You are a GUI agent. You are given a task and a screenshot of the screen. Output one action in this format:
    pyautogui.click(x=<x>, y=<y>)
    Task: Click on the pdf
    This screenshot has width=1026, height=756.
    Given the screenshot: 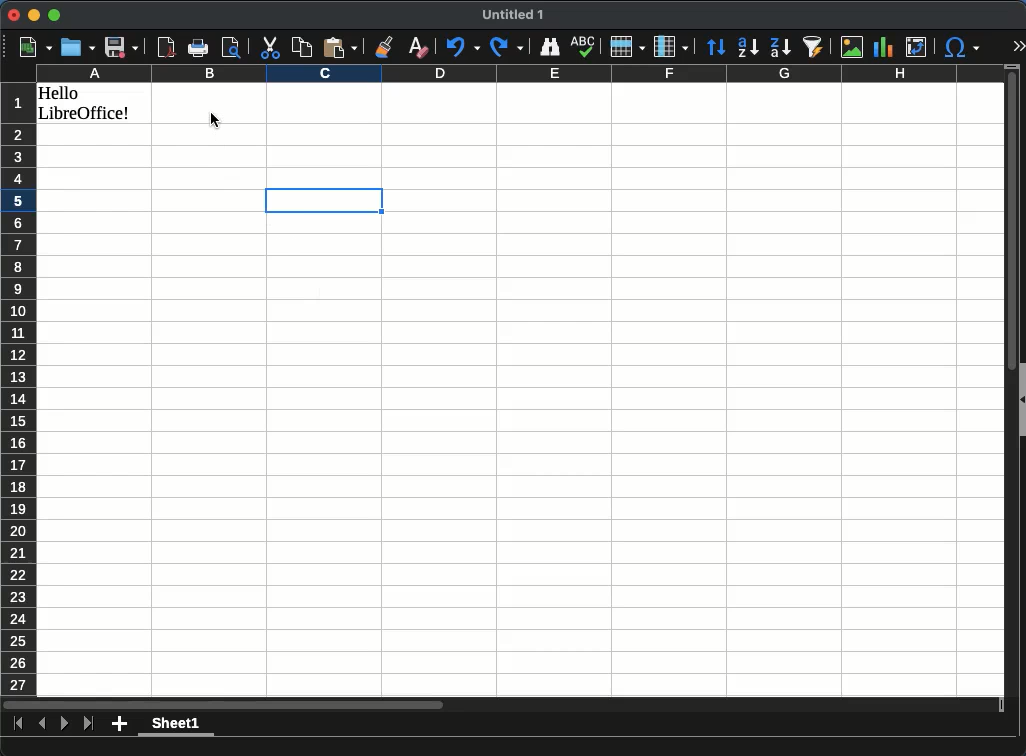 What is the action you would take?
    pyautogui.click(x=165, y=47)
    